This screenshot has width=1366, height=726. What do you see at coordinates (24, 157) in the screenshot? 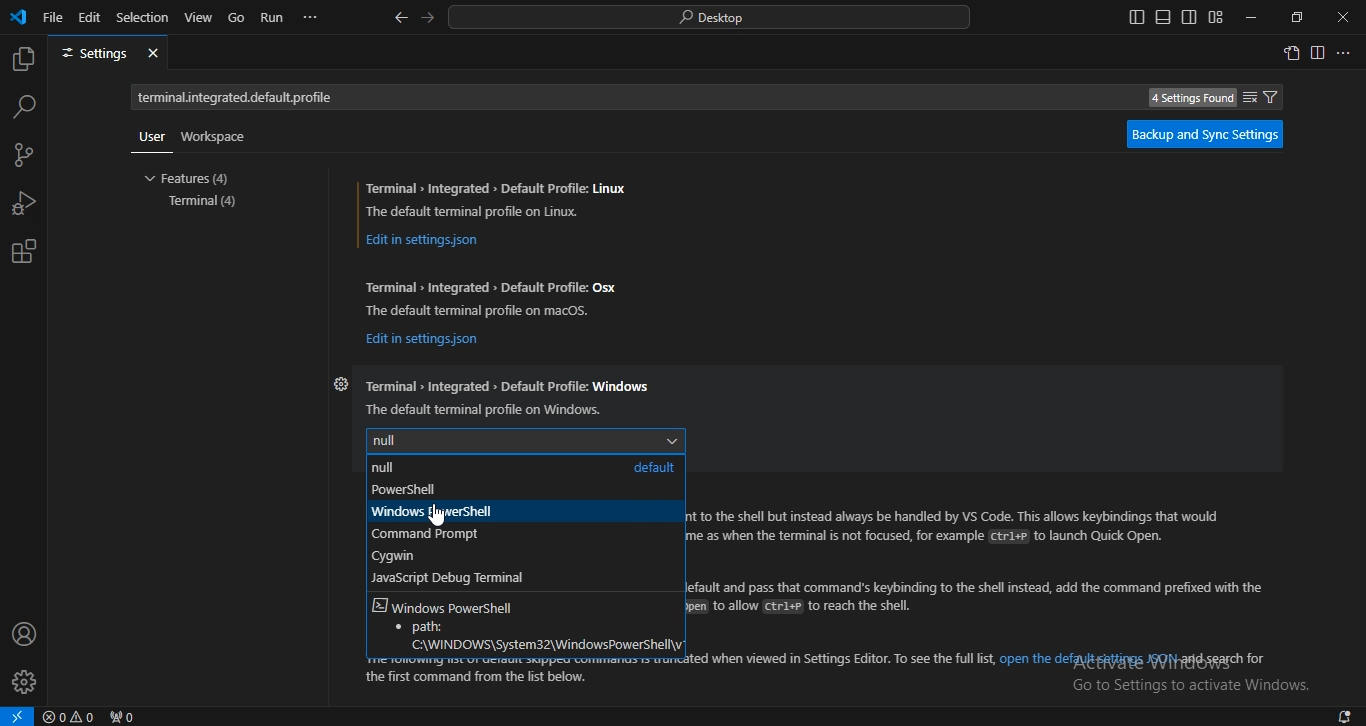
I see `source control` at bounding box center [24, 157].